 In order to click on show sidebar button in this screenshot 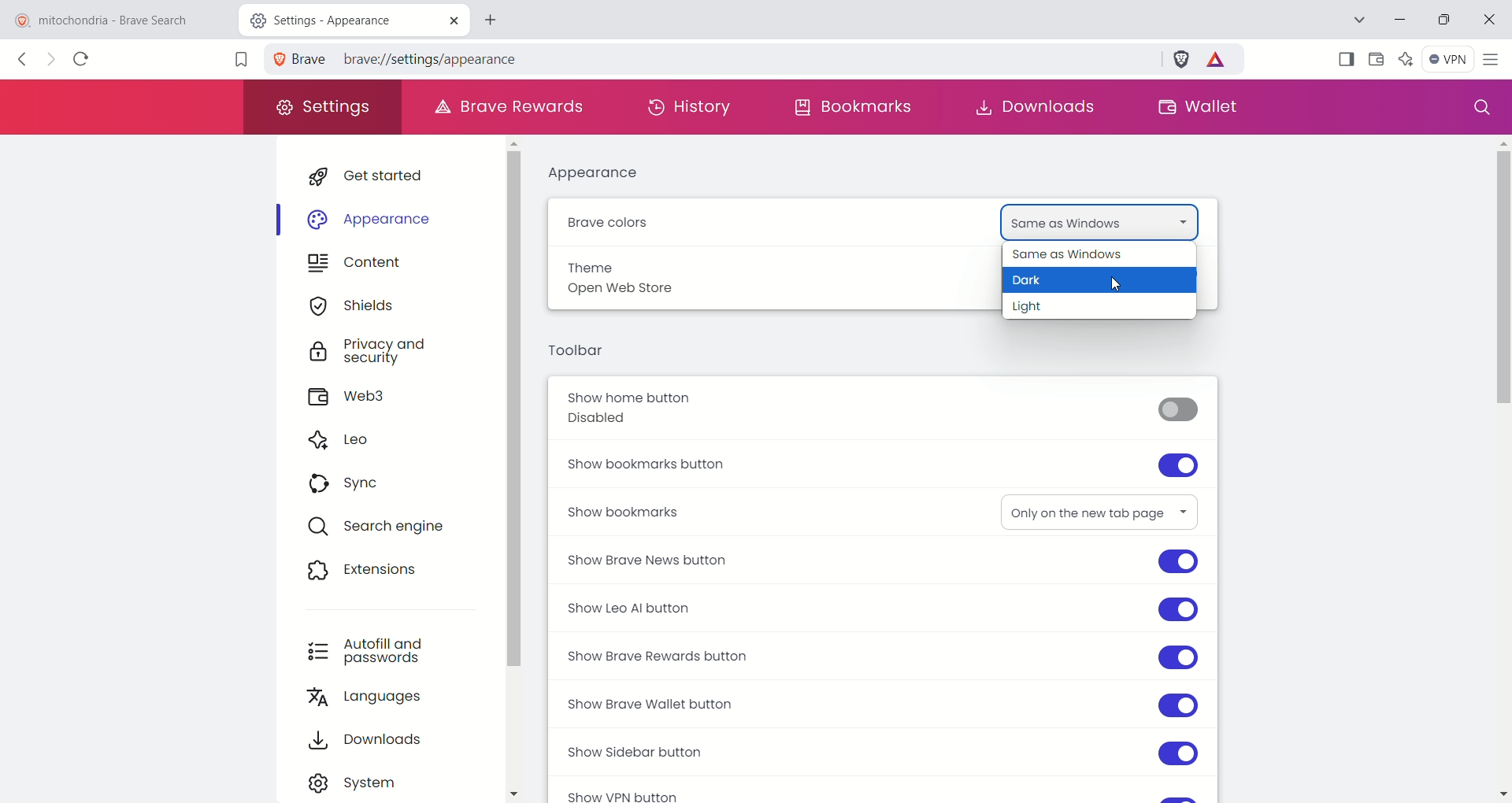, I will do `click(878, 753)`.